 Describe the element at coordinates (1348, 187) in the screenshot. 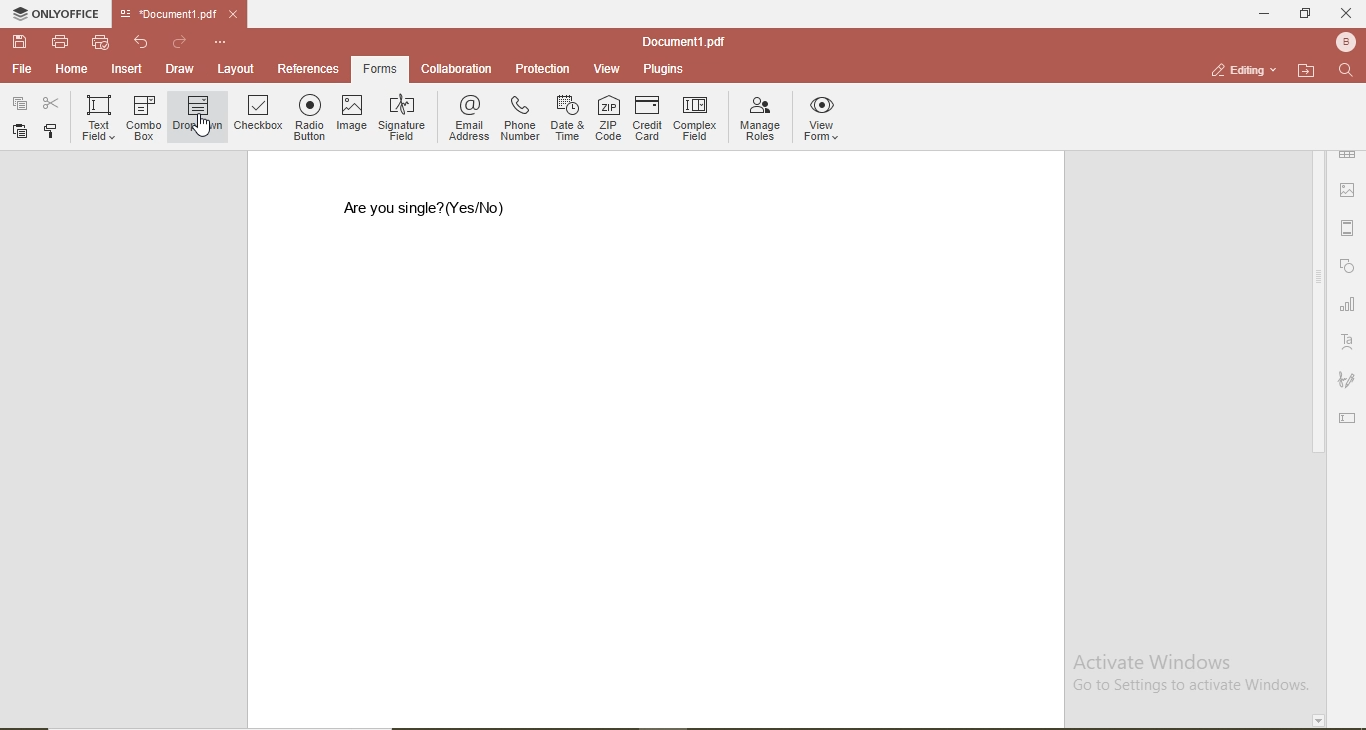

I see `image` at that location.